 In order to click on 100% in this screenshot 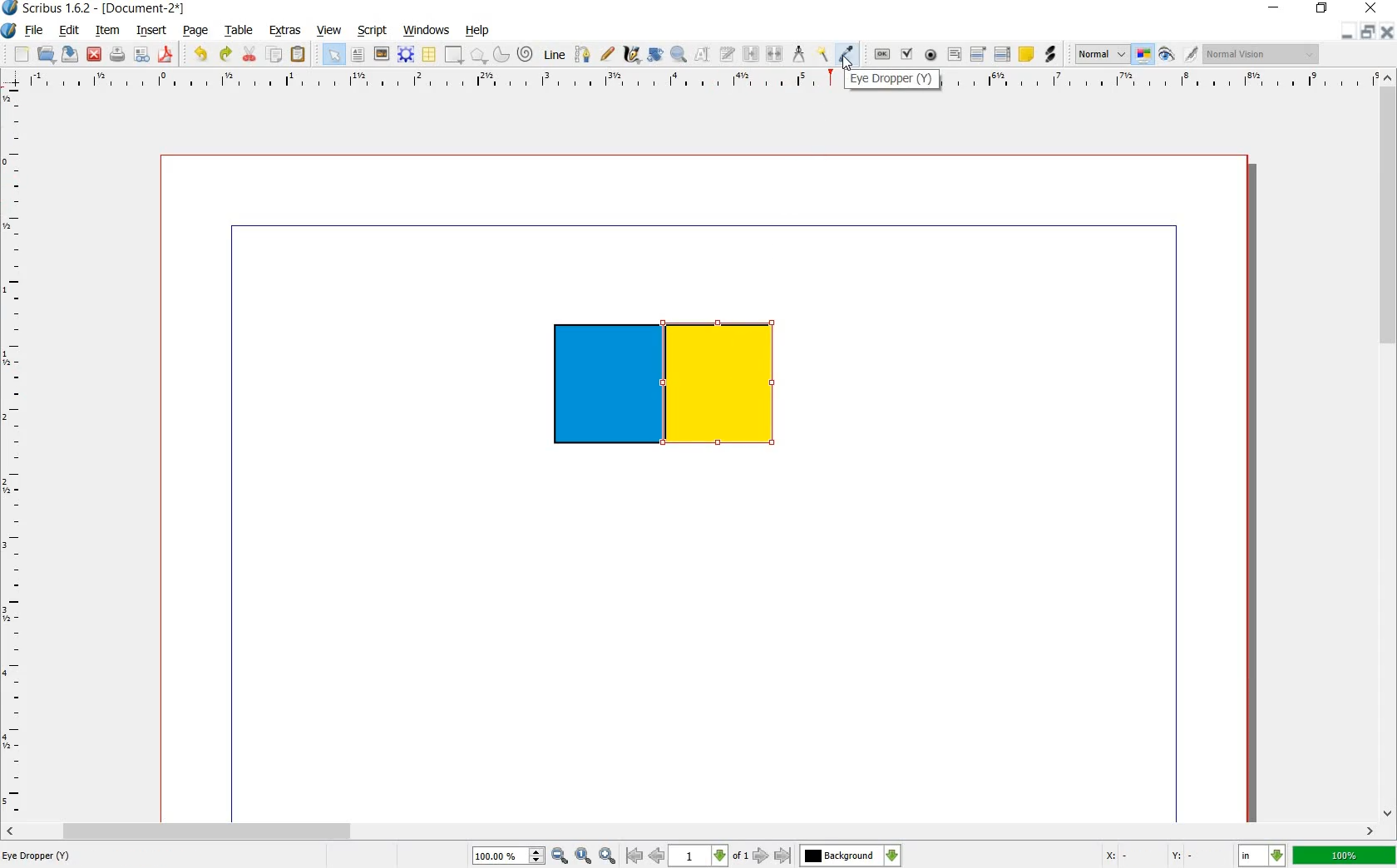, I will do `click(1345, 856)`.